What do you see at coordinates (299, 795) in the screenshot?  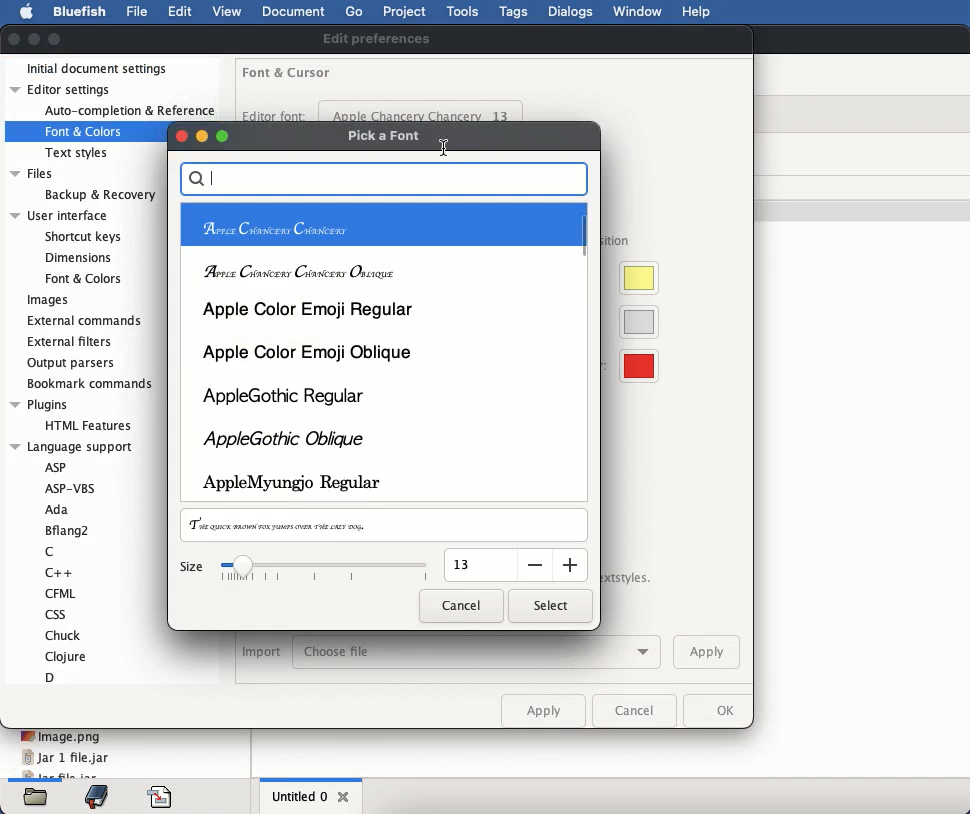 I see `untitled` at bounding box center [299, 795].